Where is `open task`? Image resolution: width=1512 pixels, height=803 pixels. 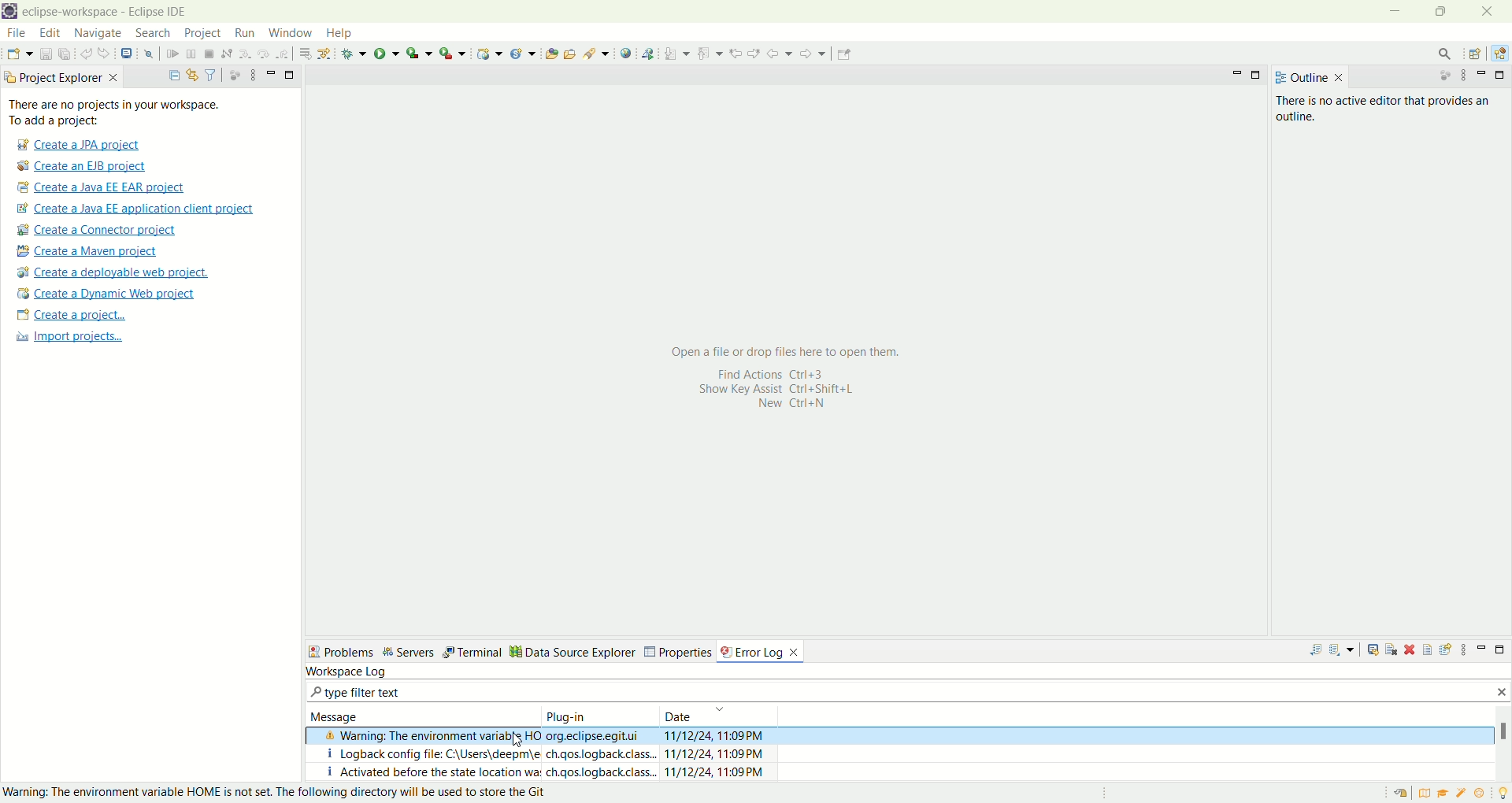
open task is located at coordinates (570, 54).